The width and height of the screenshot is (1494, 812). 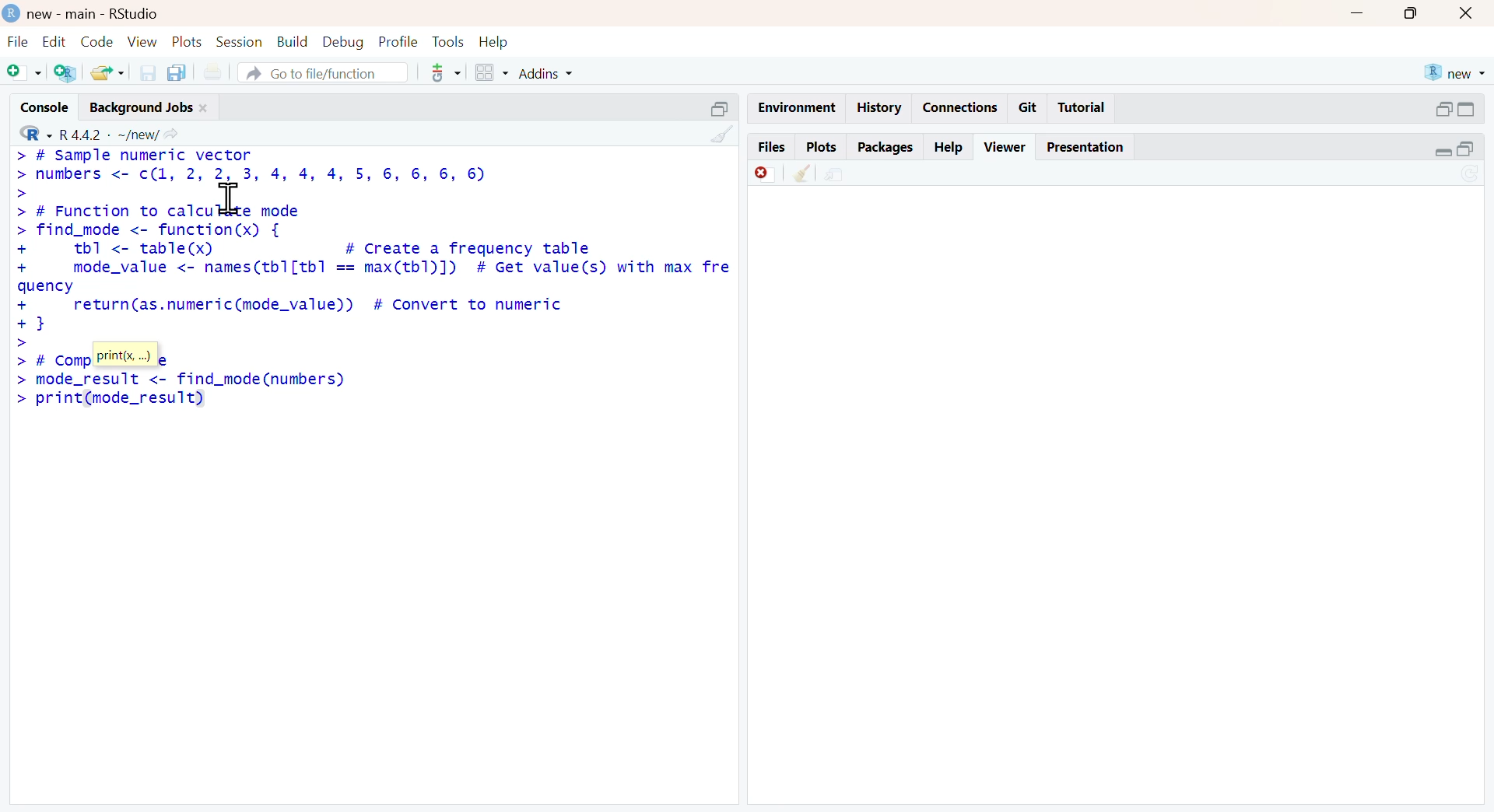 I want to click on print, so click(x=213, y=73).